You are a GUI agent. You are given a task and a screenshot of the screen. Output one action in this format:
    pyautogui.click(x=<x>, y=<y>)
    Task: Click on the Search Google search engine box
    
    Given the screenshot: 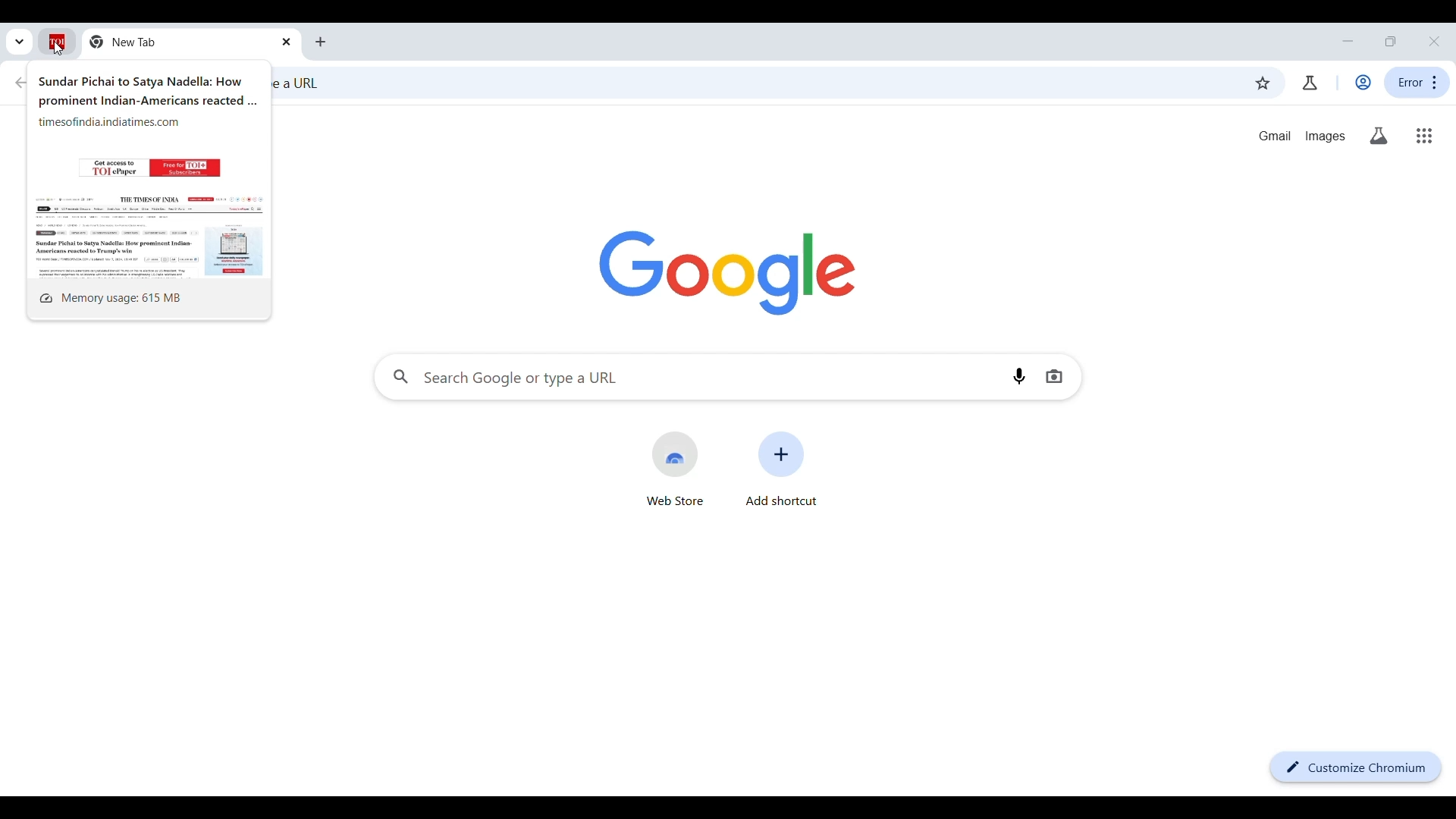 What is the action you would take?
    pyautogui.click(x=689, y=376)
    